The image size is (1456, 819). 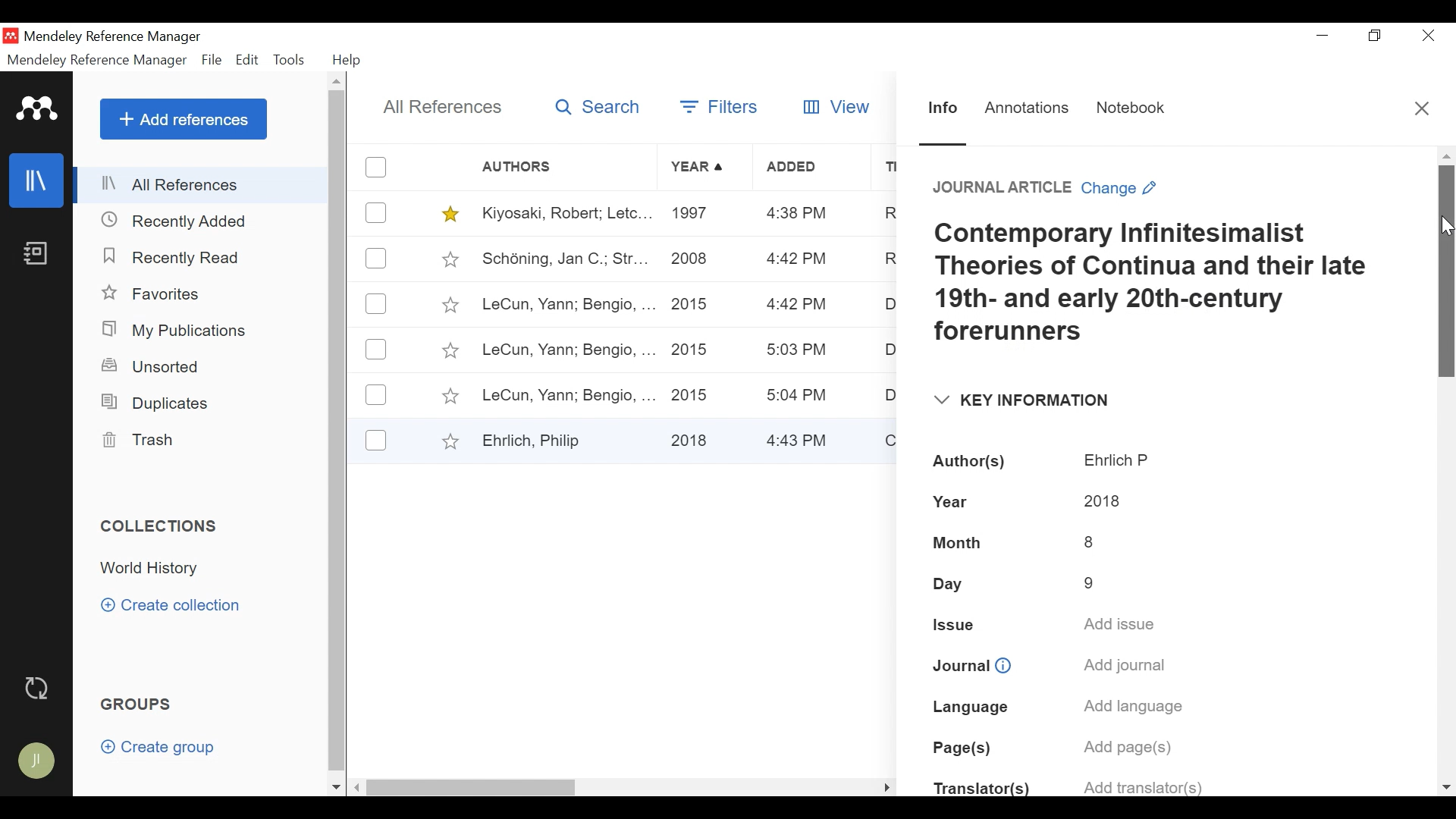 What do you see at coordinates (475, 786) in the screenshot?
I see `horizontal scroll bar` at bounding box center [475, 786].